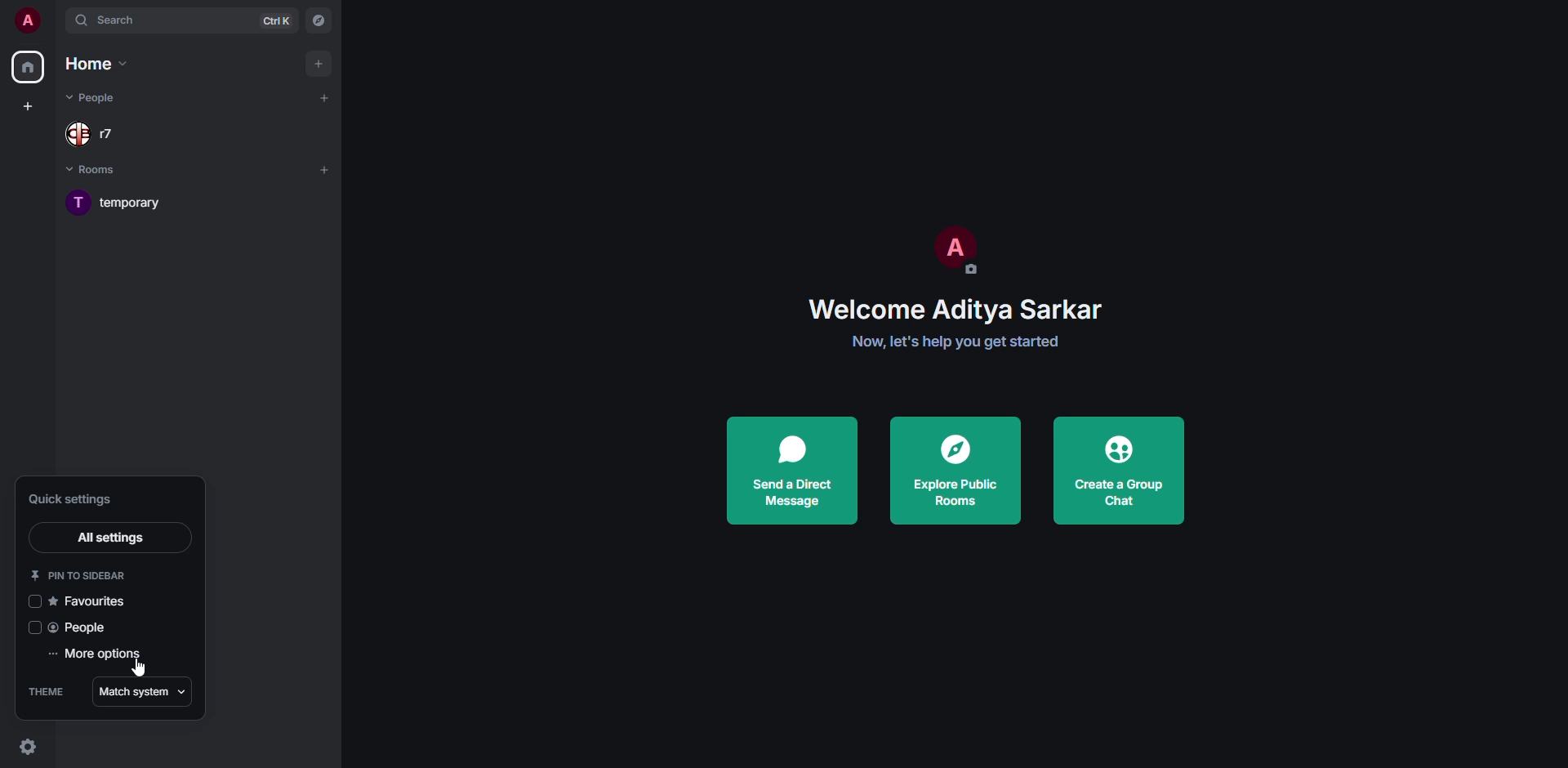 The image size is (1568, 768). Describe the element at coordinates (32, 599) in the screenshot. I see `click to enable` at that location.